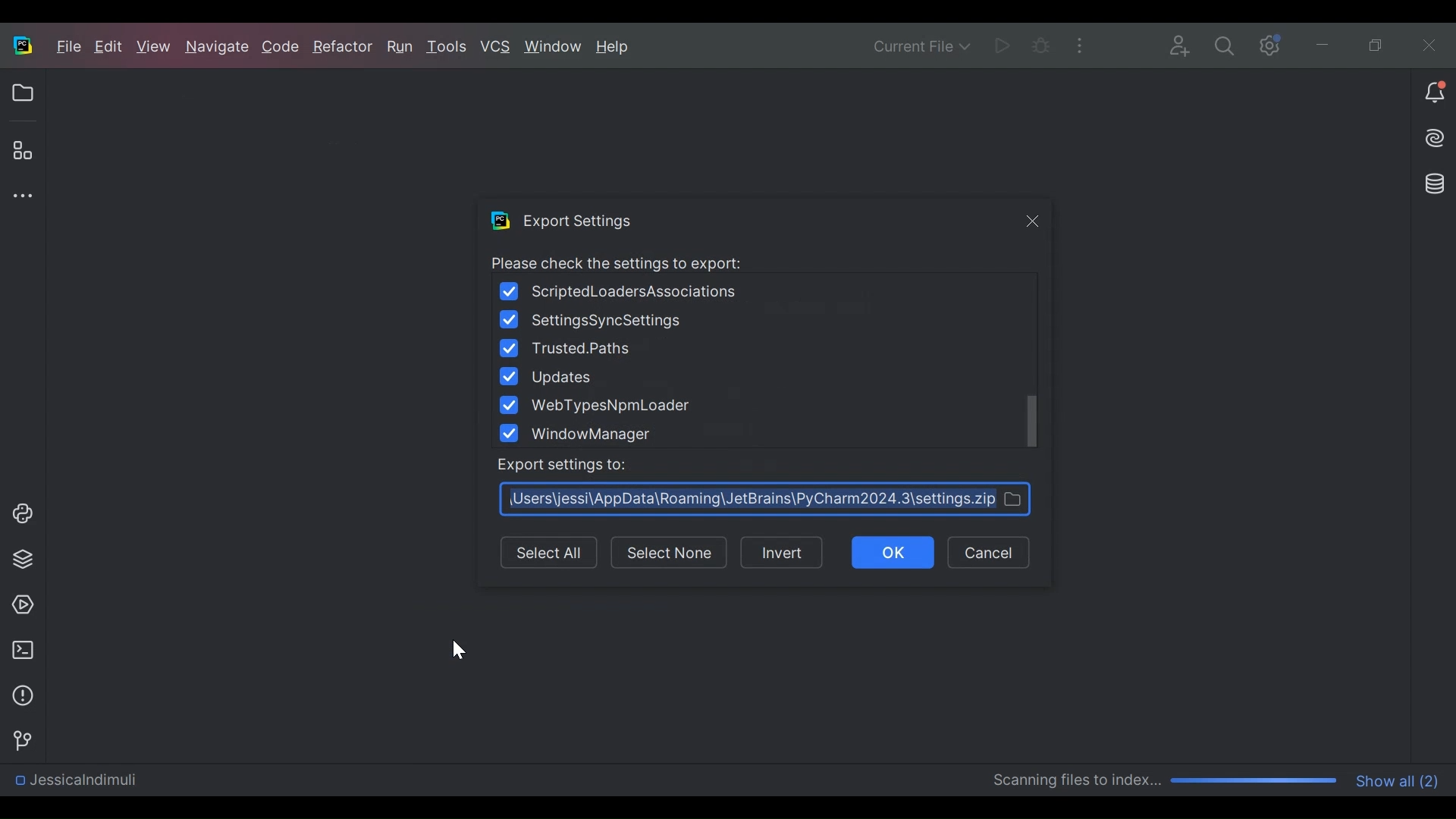 The image size is (1456, 819). What do you see at coordinates (218, 49) in the screenshot?
I see `Navigate` at bounding box center [218, 49].